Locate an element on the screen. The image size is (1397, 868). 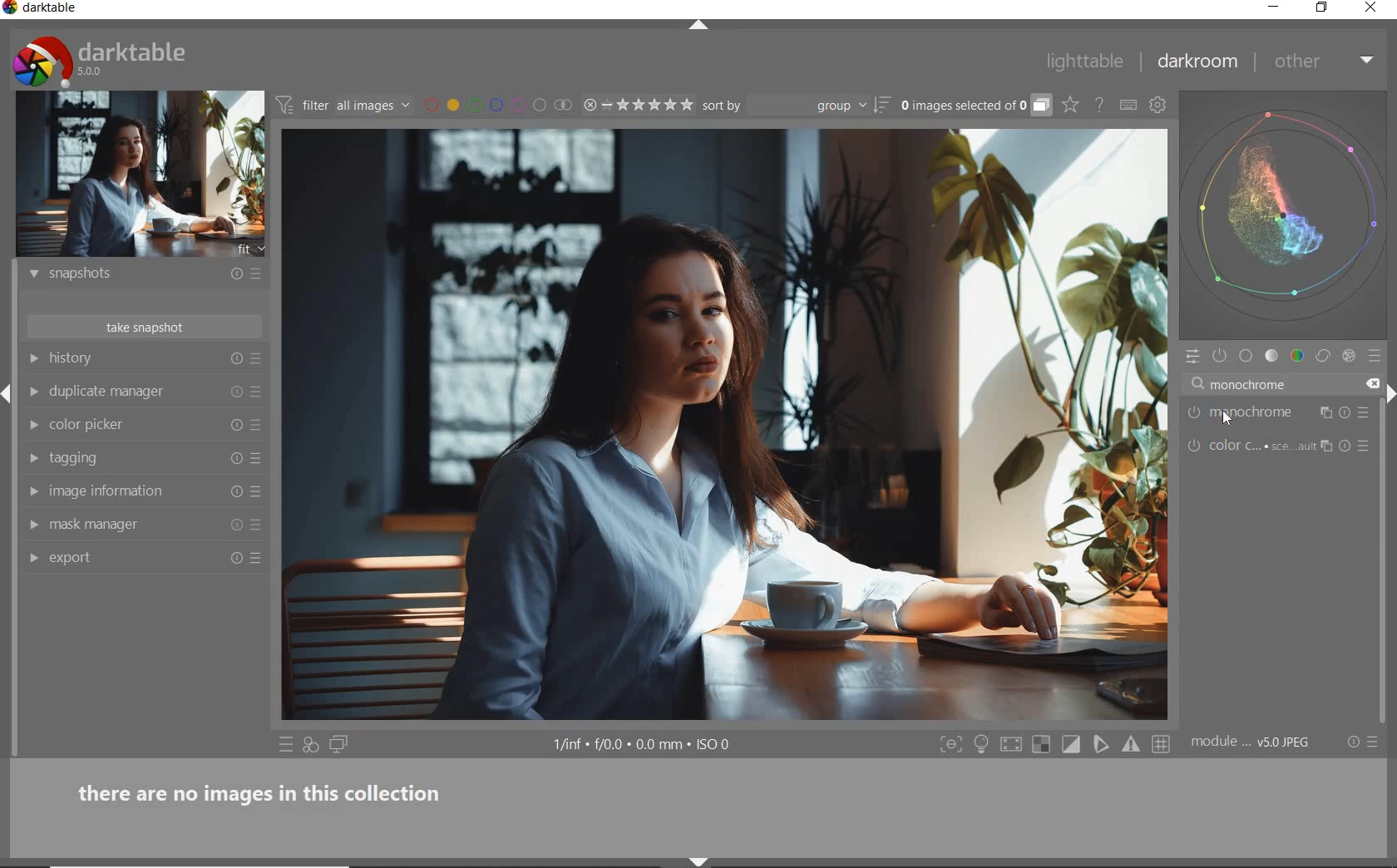
reset is located at coordinates (235, 528).